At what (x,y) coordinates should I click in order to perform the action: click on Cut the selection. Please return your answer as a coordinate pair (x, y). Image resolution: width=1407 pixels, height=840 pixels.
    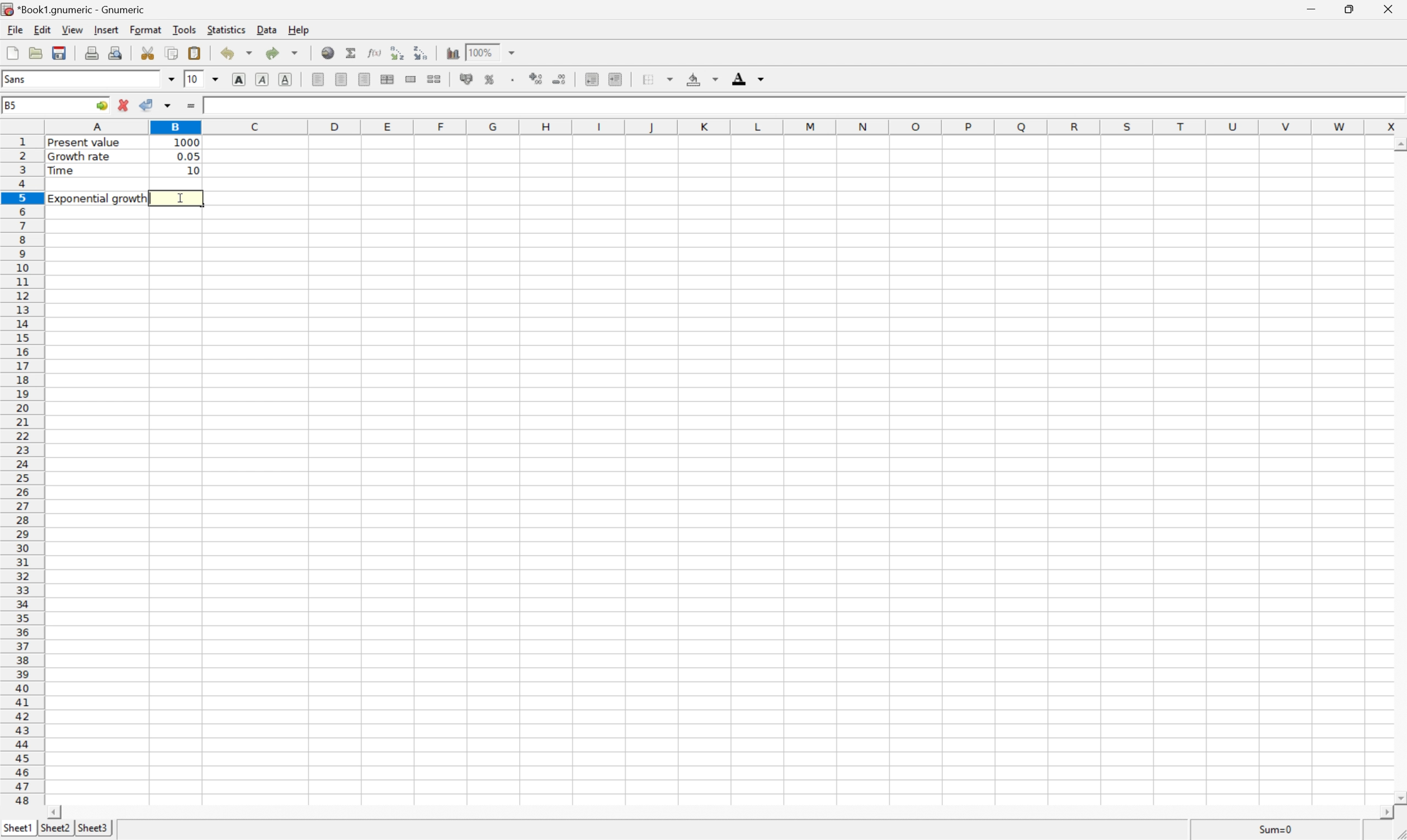
    Looking at the image, I should click on (148, 52).